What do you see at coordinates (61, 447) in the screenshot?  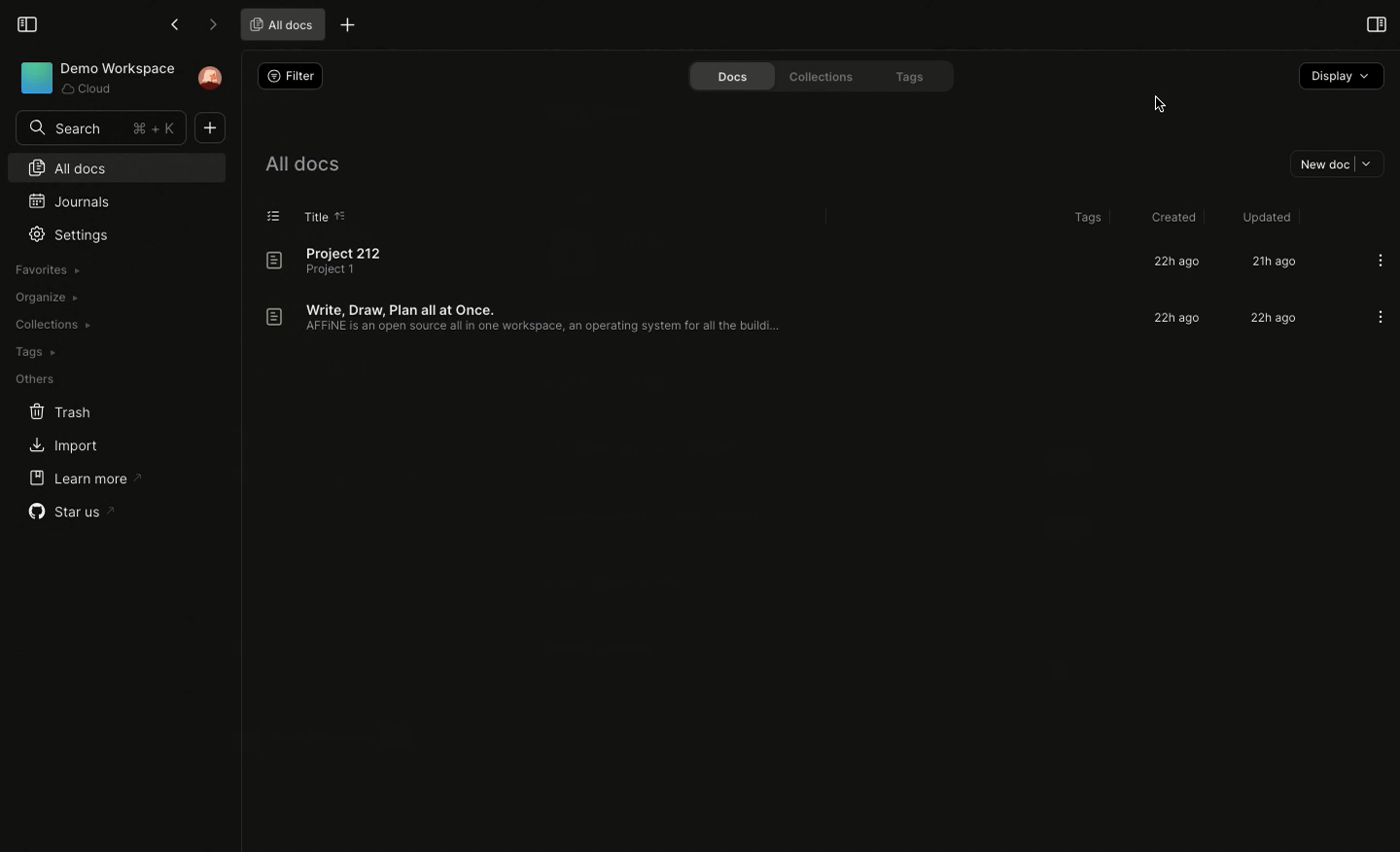 I see `Import` at bounding box center [61, 447].